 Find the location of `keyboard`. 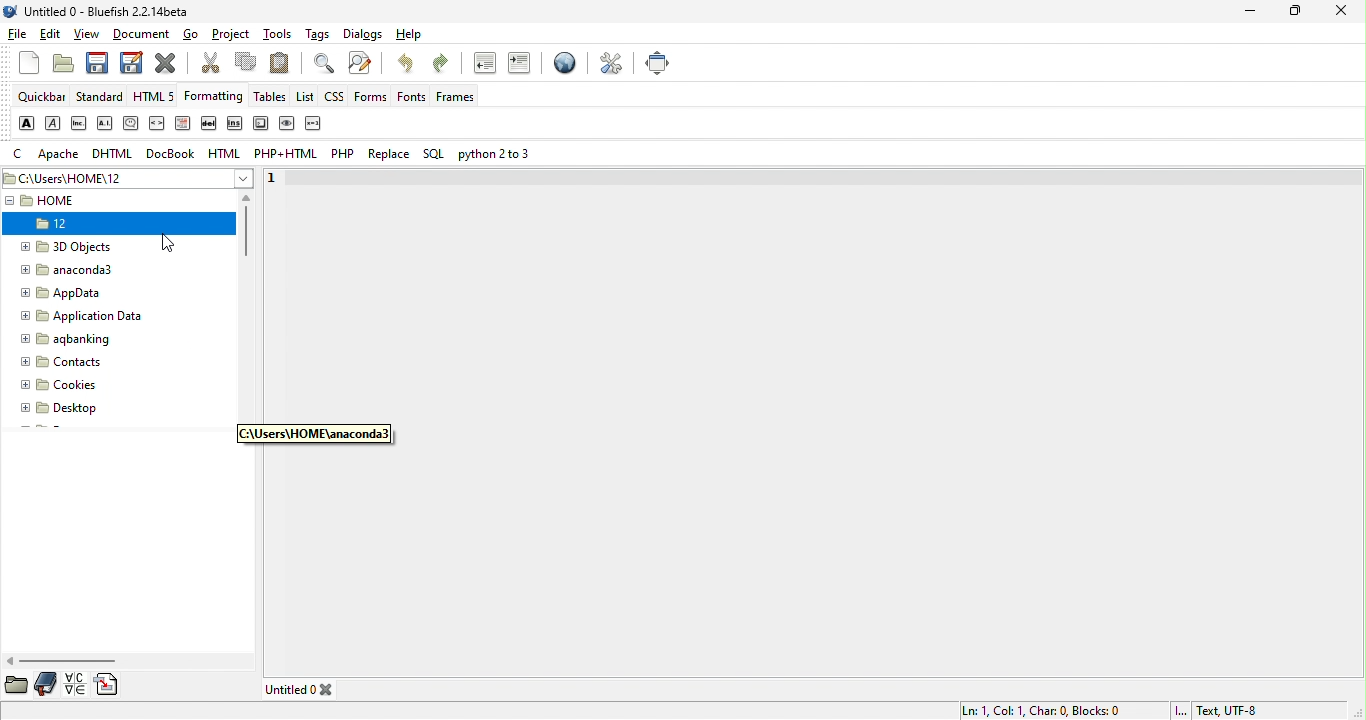

keyboard is located at coordinates (257, 125).